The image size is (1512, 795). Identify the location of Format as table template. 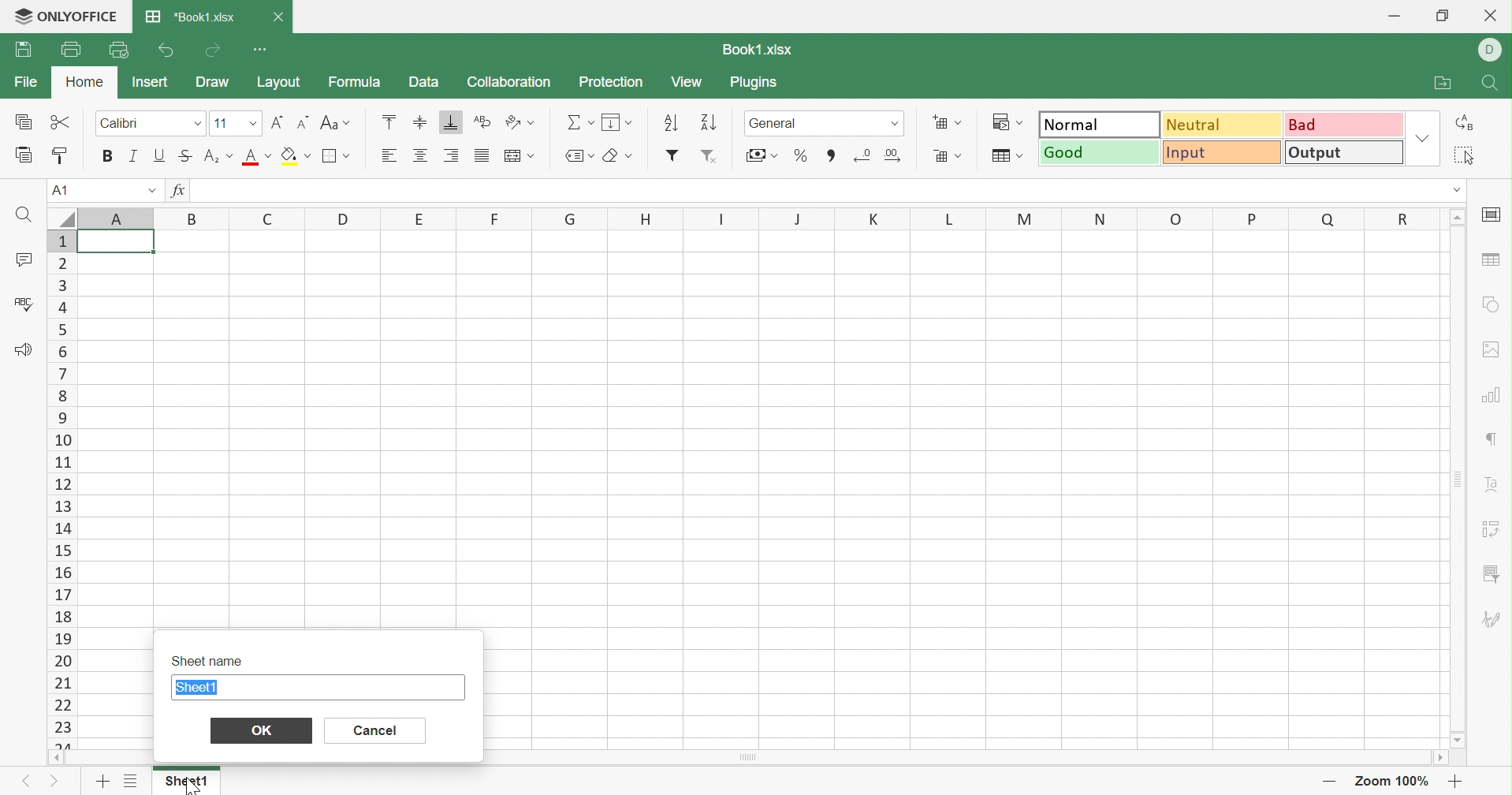
(1008, 154).